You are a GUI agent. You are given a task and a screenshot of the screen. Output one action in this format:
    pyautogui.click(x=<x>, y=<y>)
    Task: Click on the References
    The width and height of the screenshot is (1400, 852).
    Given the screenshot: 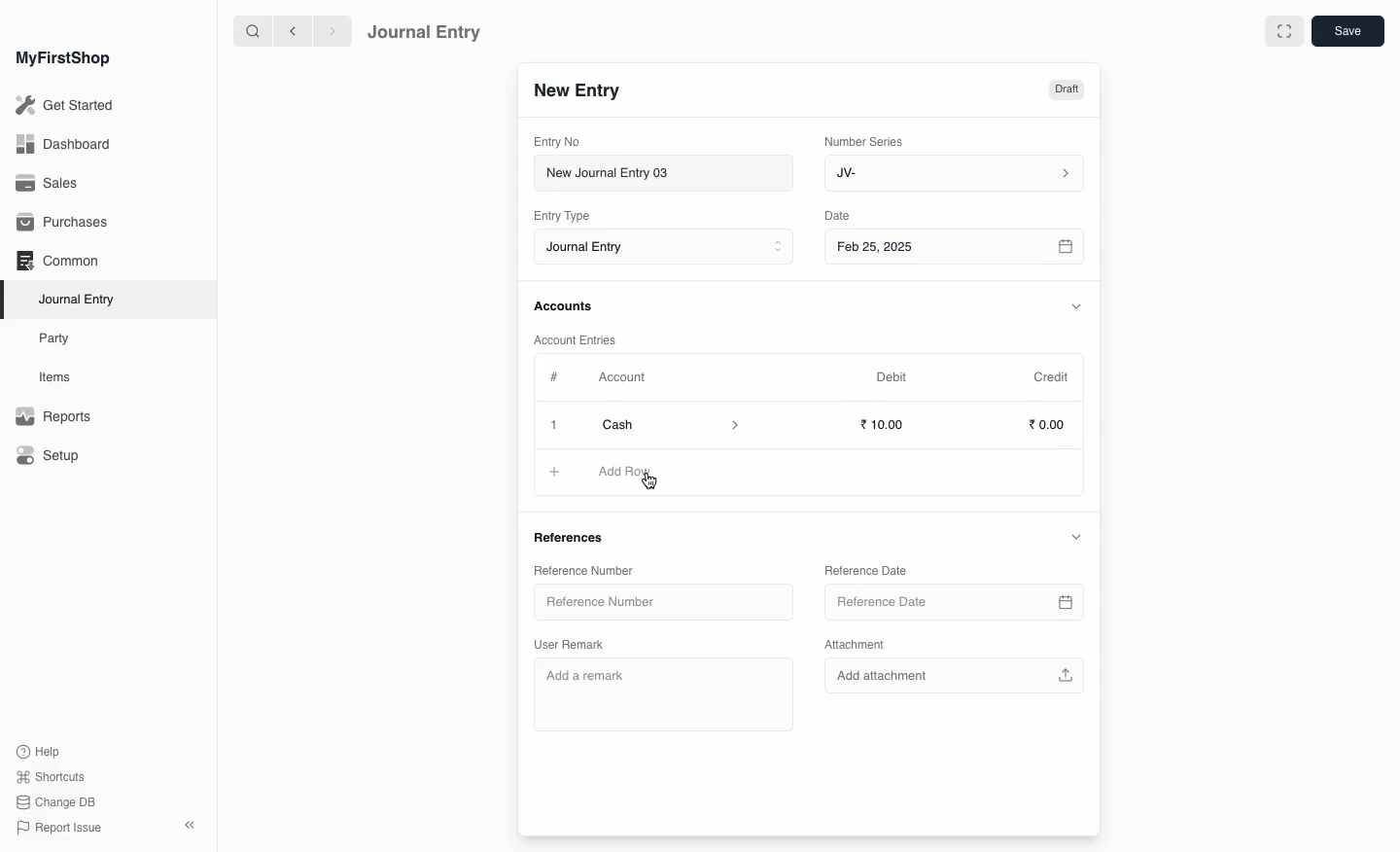 What is the action you would take?
    pyautogui.click(x=573, y=536)
    